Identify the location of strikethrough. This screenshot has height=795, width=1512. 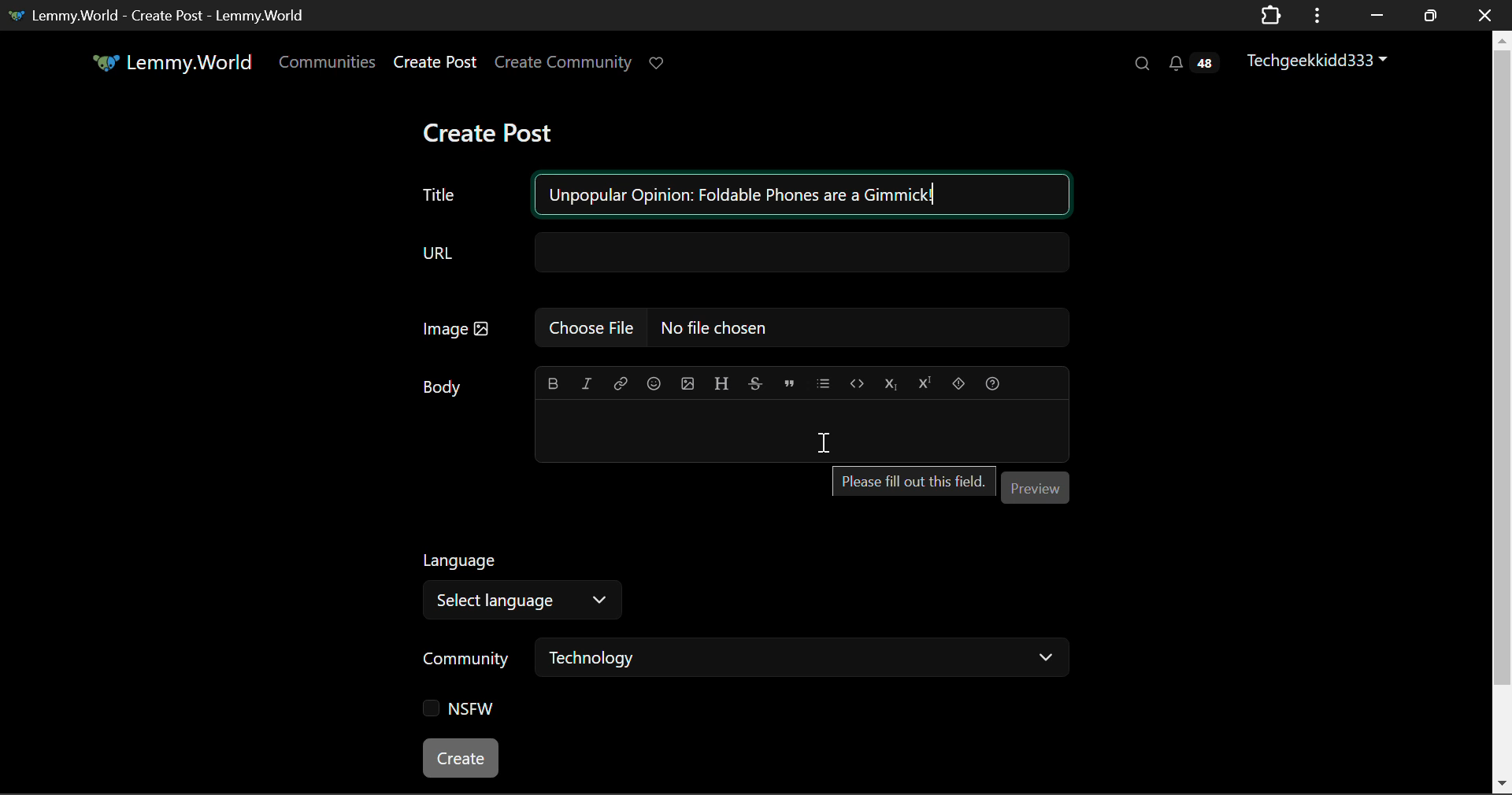
(756, 383).